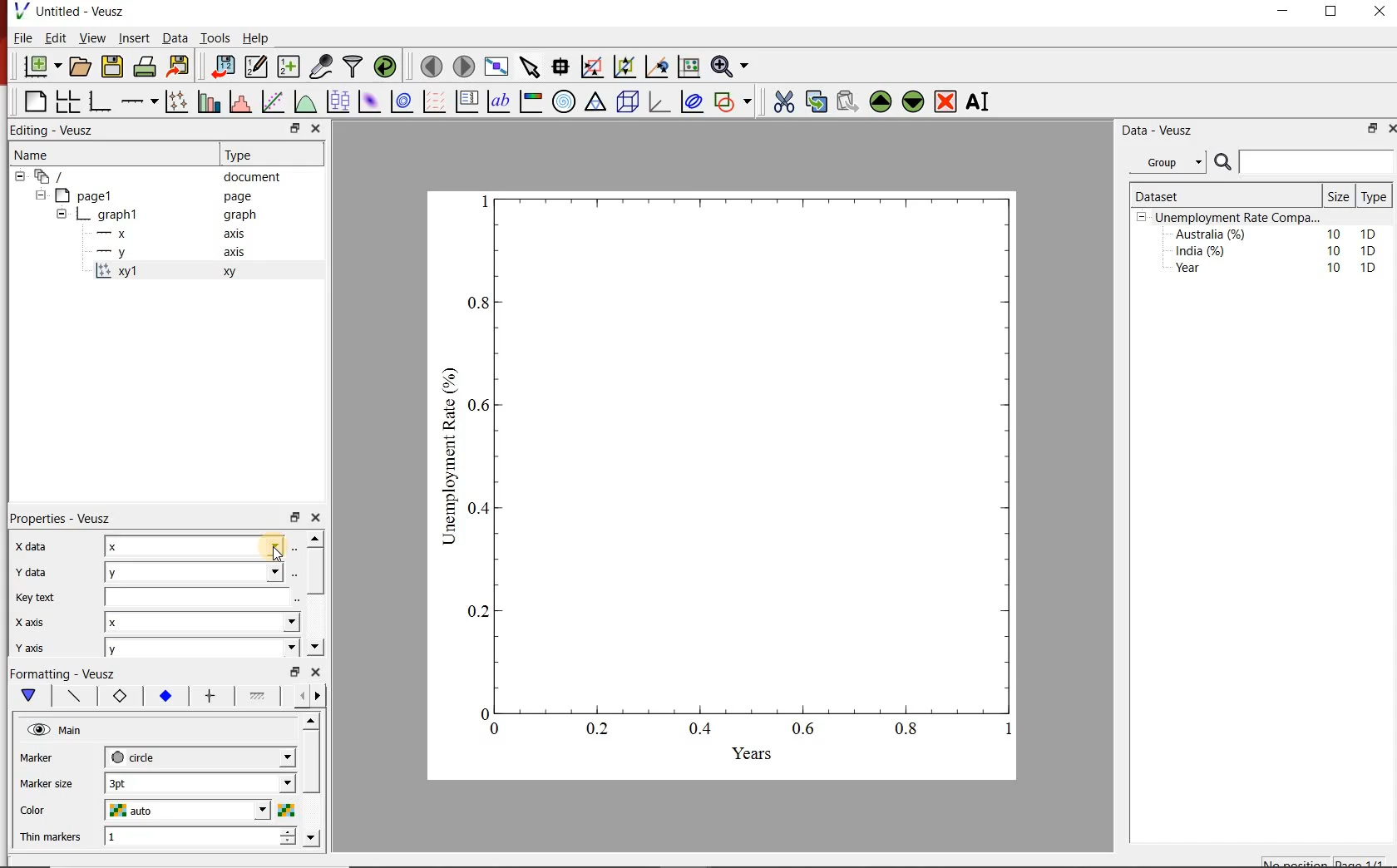 Image resolution: width=1397 pixels, height=868 pixels. Describe the element at coordinates (297, 128) in the screenshot. I see `minimise` at that location.